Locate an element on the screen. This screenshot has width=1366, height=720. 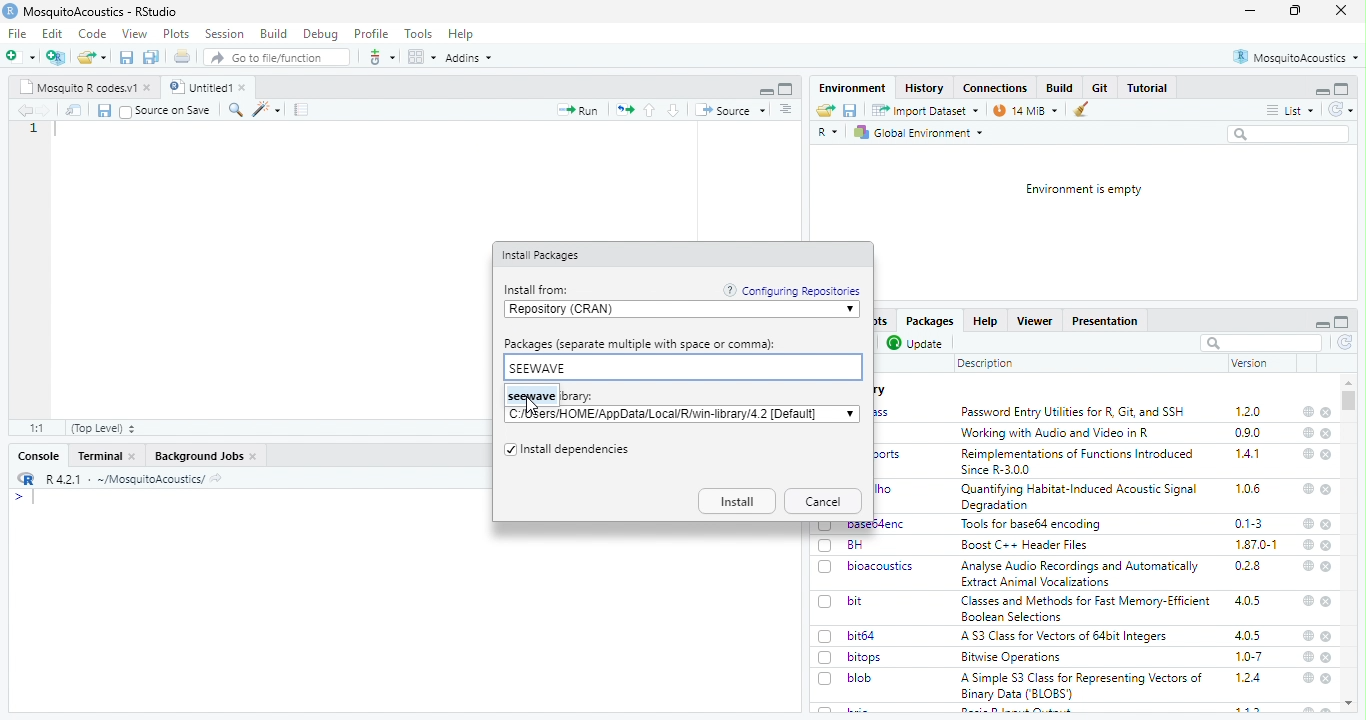
Tools for base64 encoding is located at coordinates (1032, 525).